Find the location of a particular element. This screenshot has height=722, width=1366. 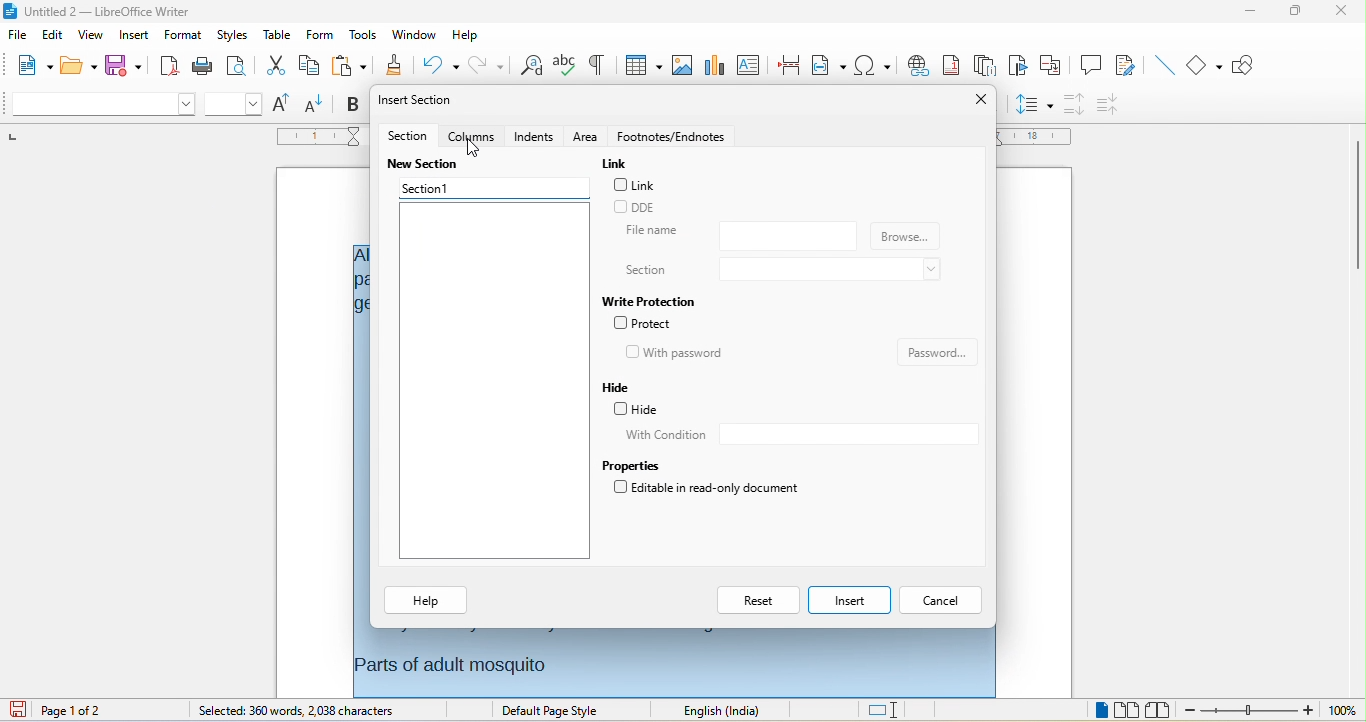

page 1 of 2 is located at coordinates (79, 710).